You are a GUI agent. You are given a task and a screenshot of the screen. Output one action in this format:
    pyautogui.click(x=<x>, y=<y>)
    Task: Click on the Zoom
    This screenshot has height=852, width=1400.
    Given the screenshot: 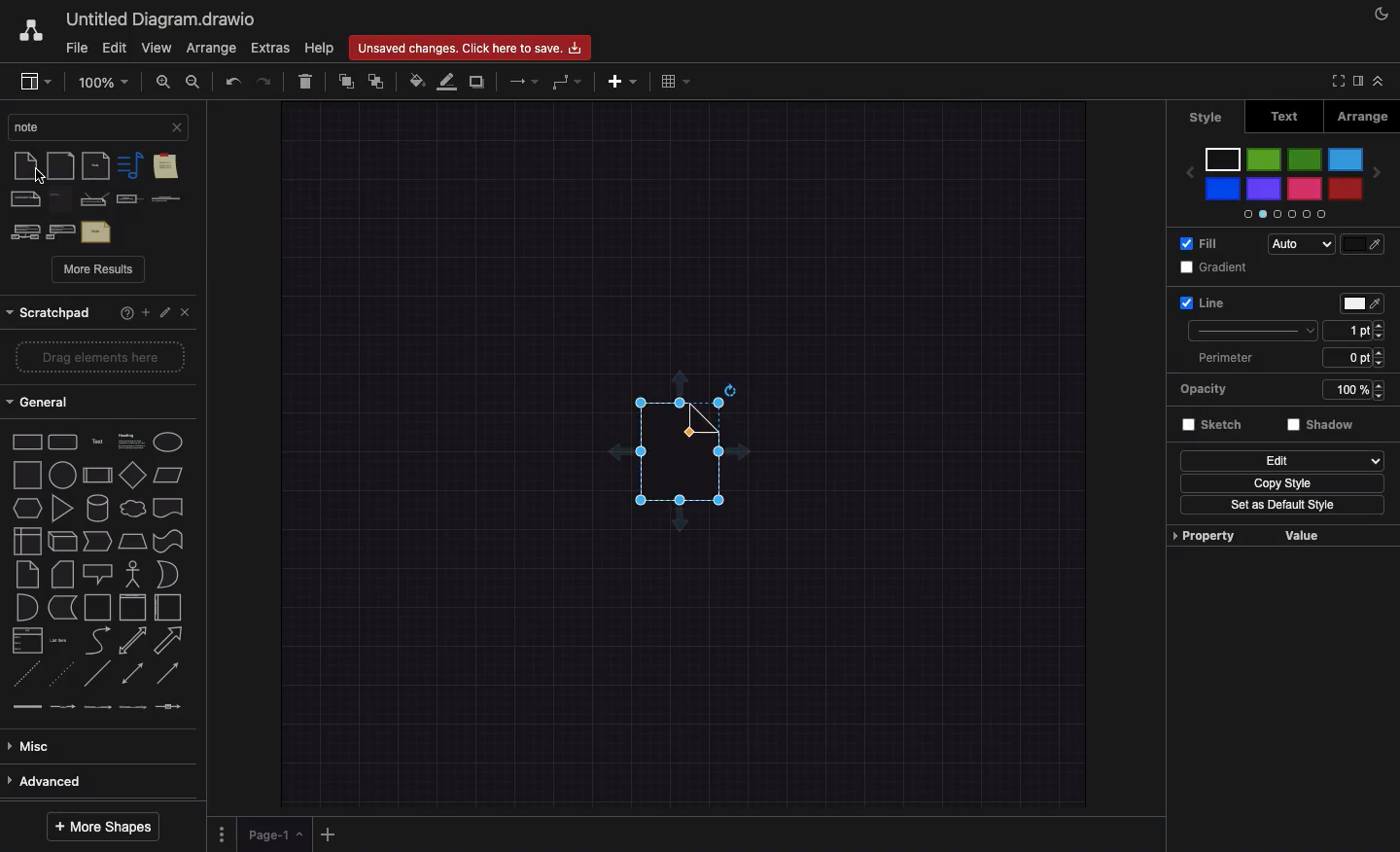 What is the action you would take?
    pyautogui.click(x=102, y=81)
    